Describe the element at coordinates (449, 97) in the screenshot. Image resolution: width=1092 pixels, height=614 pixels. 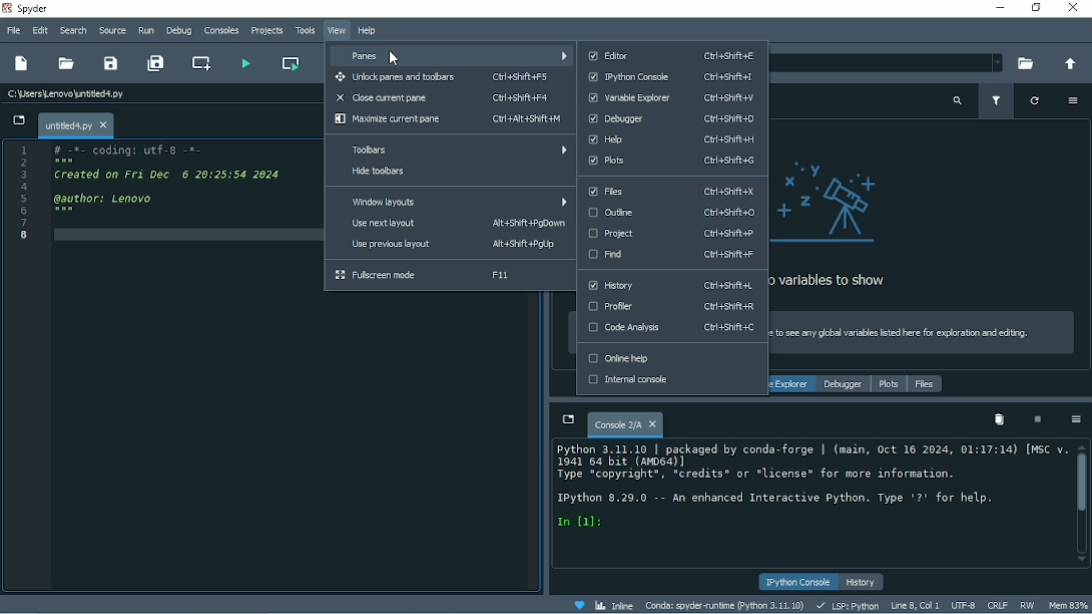
I see `Close current pane` at that location.